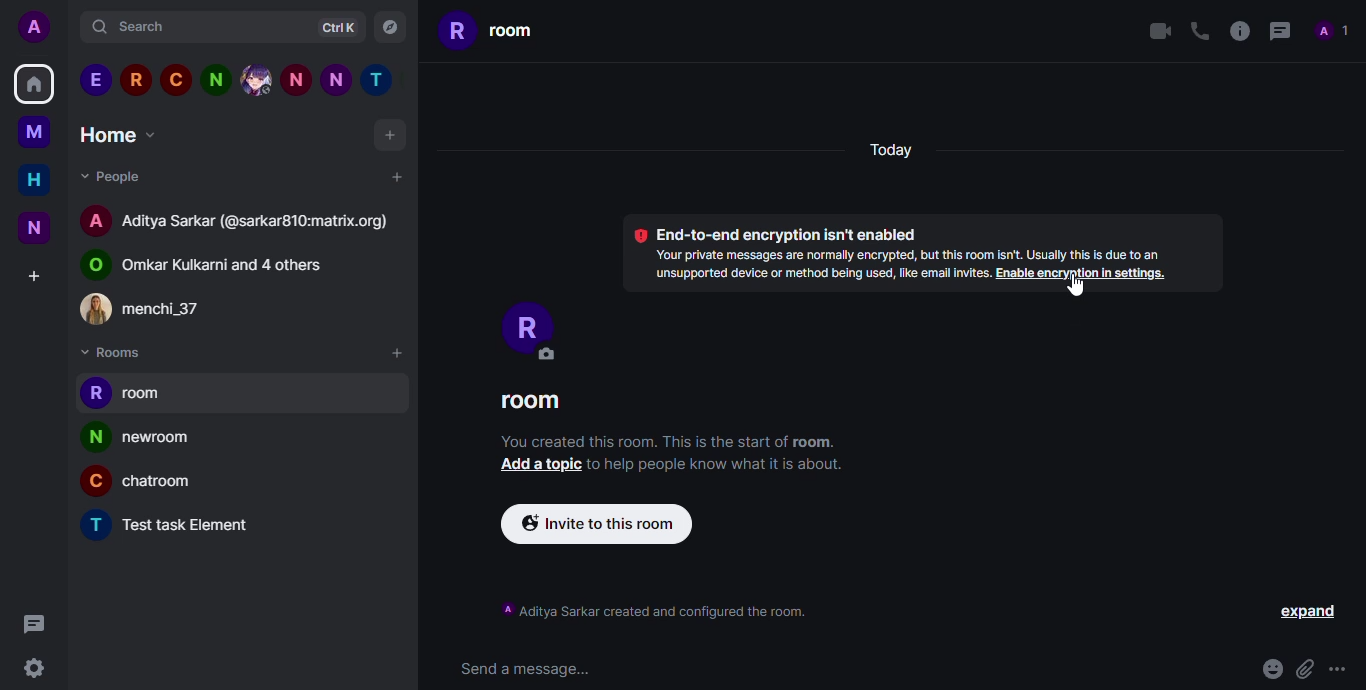 The height and width of the screenshot is (690, 1366). What do you see at coordinates (34, 83) in the screenshot?
I see `home` at bounding box center [34, 83].